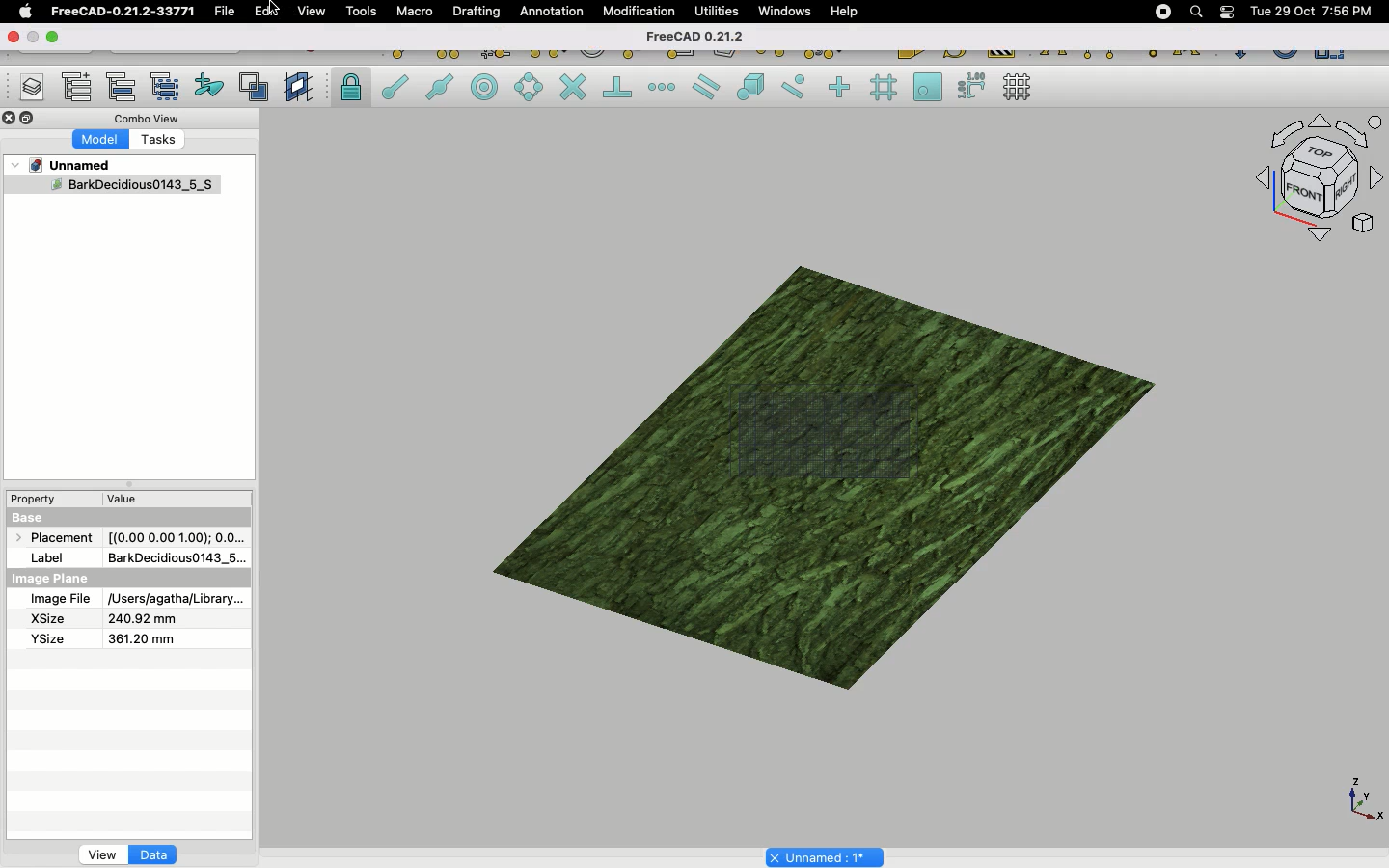 The height and width of the screenshot is (868, 1389). Describe the element at coordinates (45, 638) in the screenshot. I see `YSize` at that location.